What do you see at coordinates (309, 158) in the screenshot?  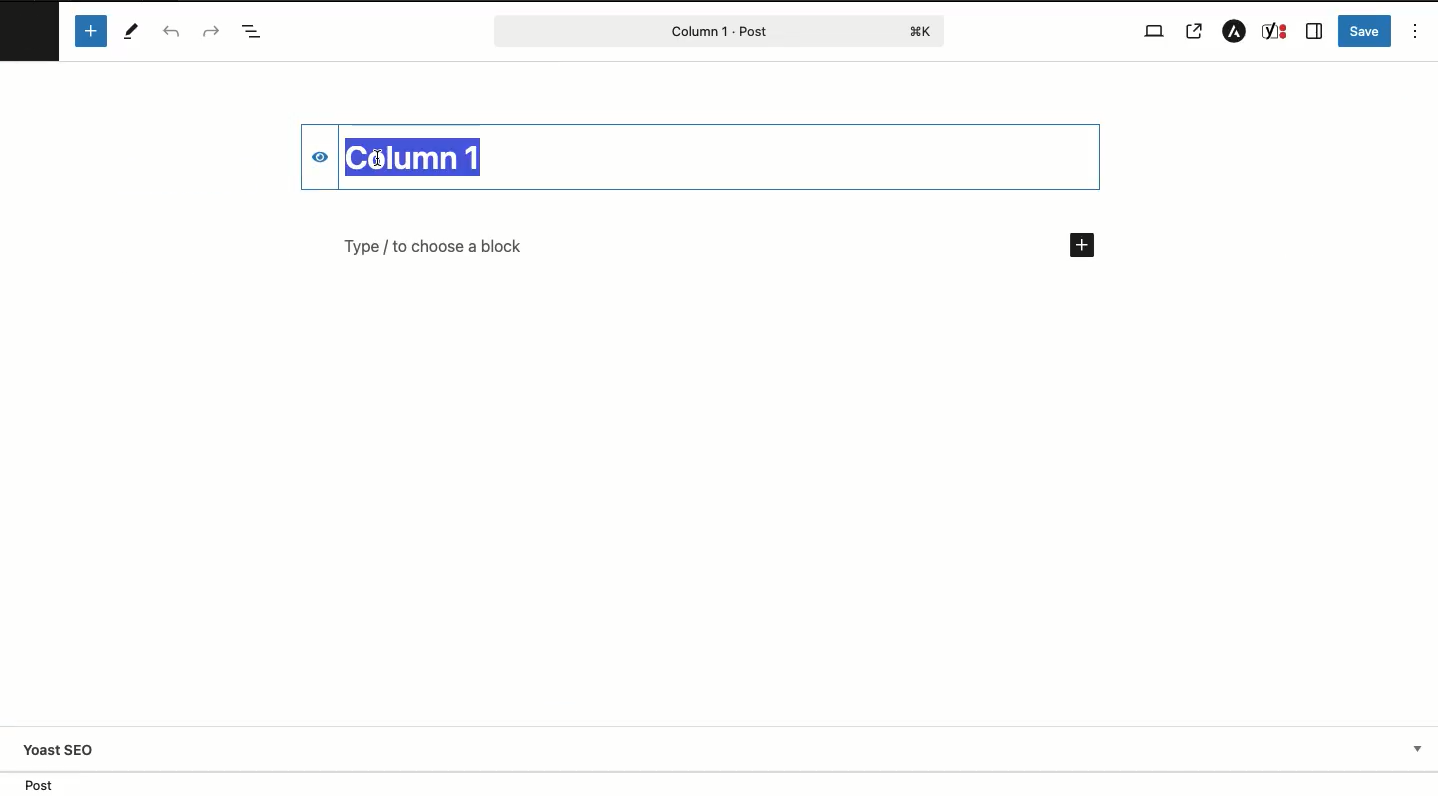 I see `Hide` at bounding box center [309, 158].